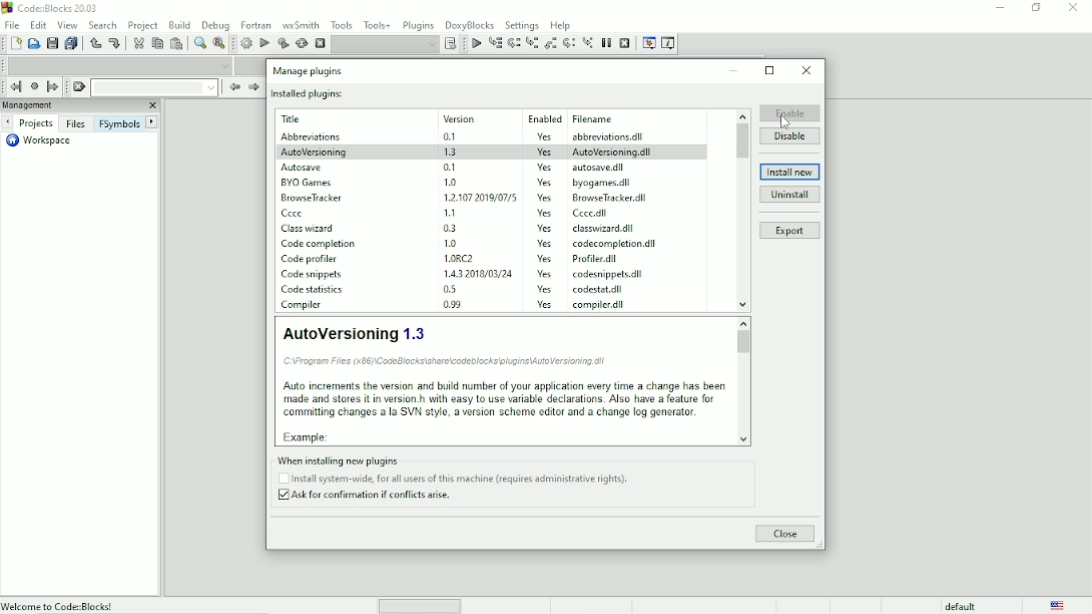 The height and width of the screenshot is (614, 1092). I want to click on Replace, so click(219, 44).